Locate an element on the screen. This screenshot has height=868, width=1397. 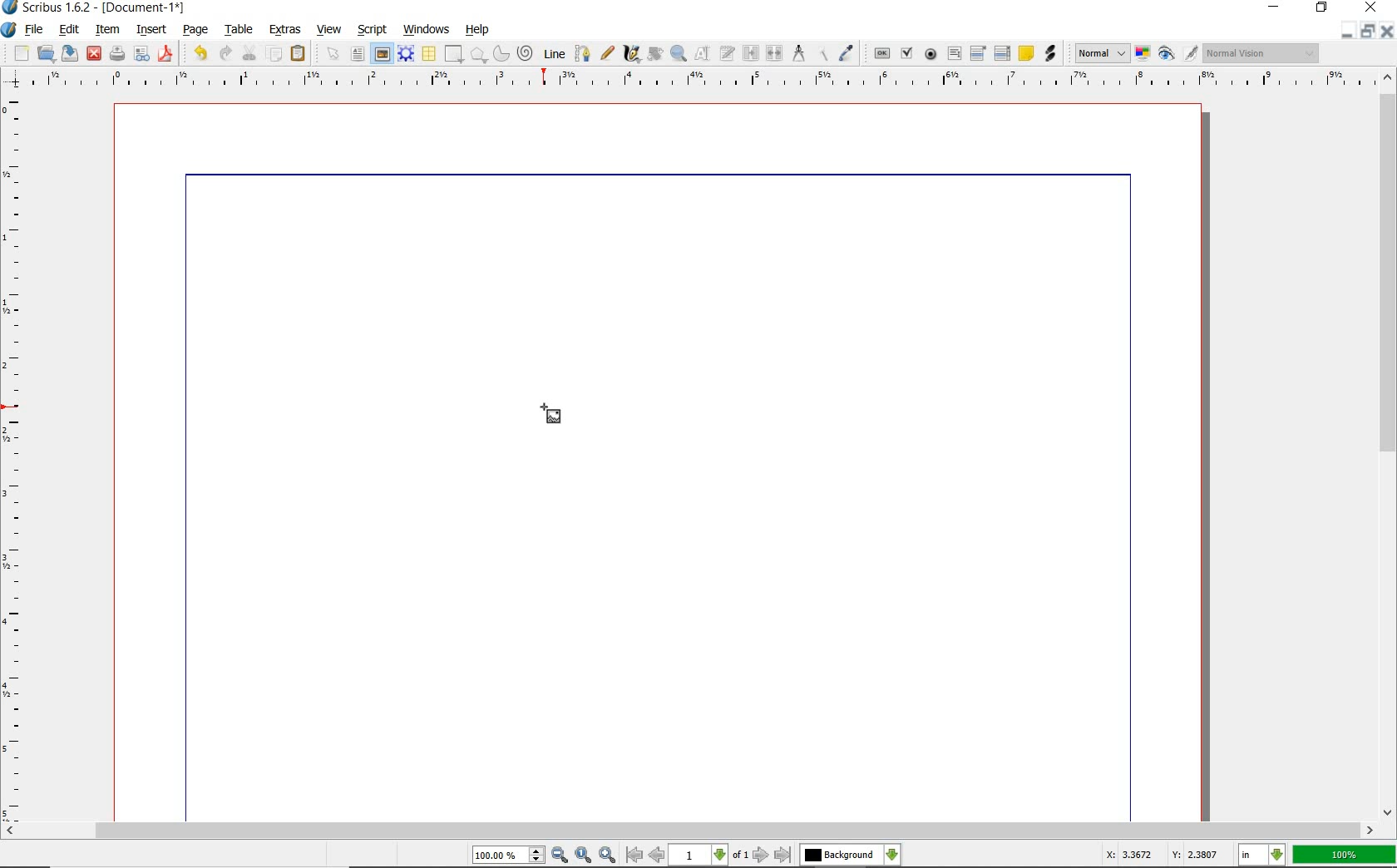
extras is located at coordinates (285, 29).